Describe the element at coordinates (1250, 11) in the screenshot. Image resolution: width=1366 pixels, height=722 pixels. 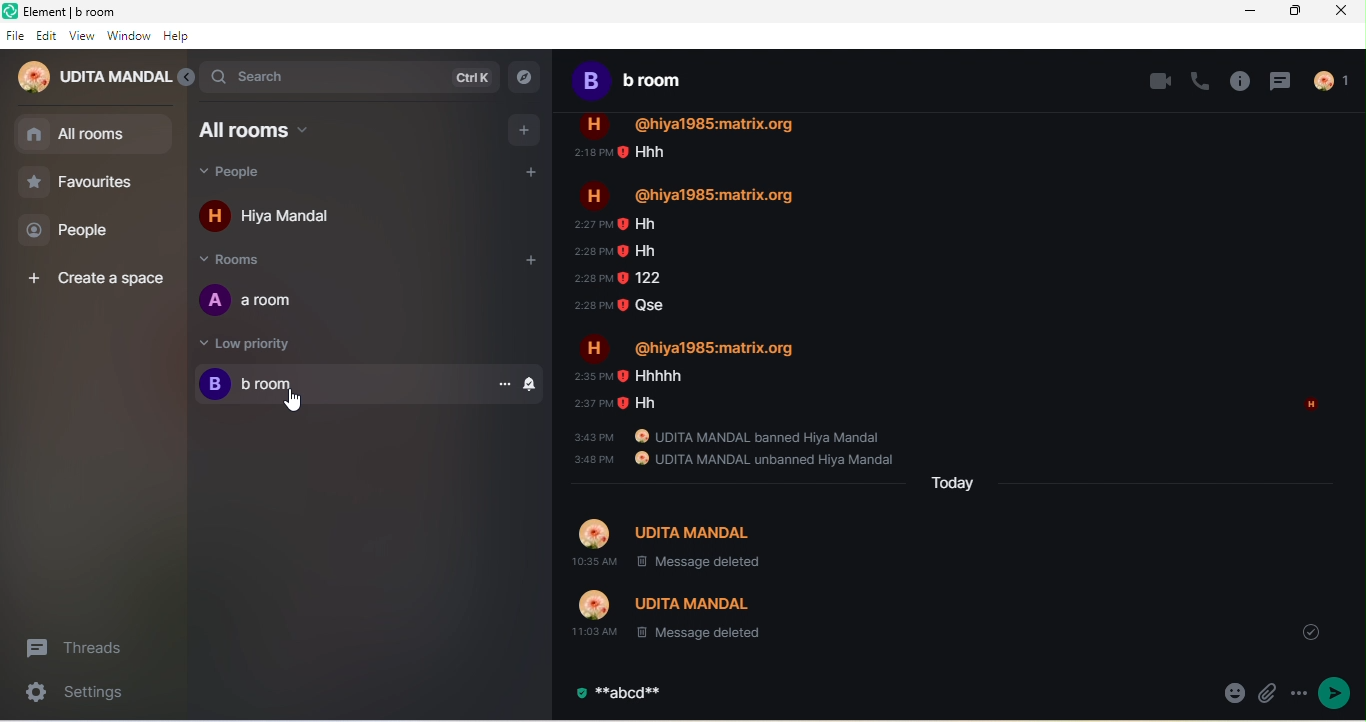
I see `minimize` at that location.